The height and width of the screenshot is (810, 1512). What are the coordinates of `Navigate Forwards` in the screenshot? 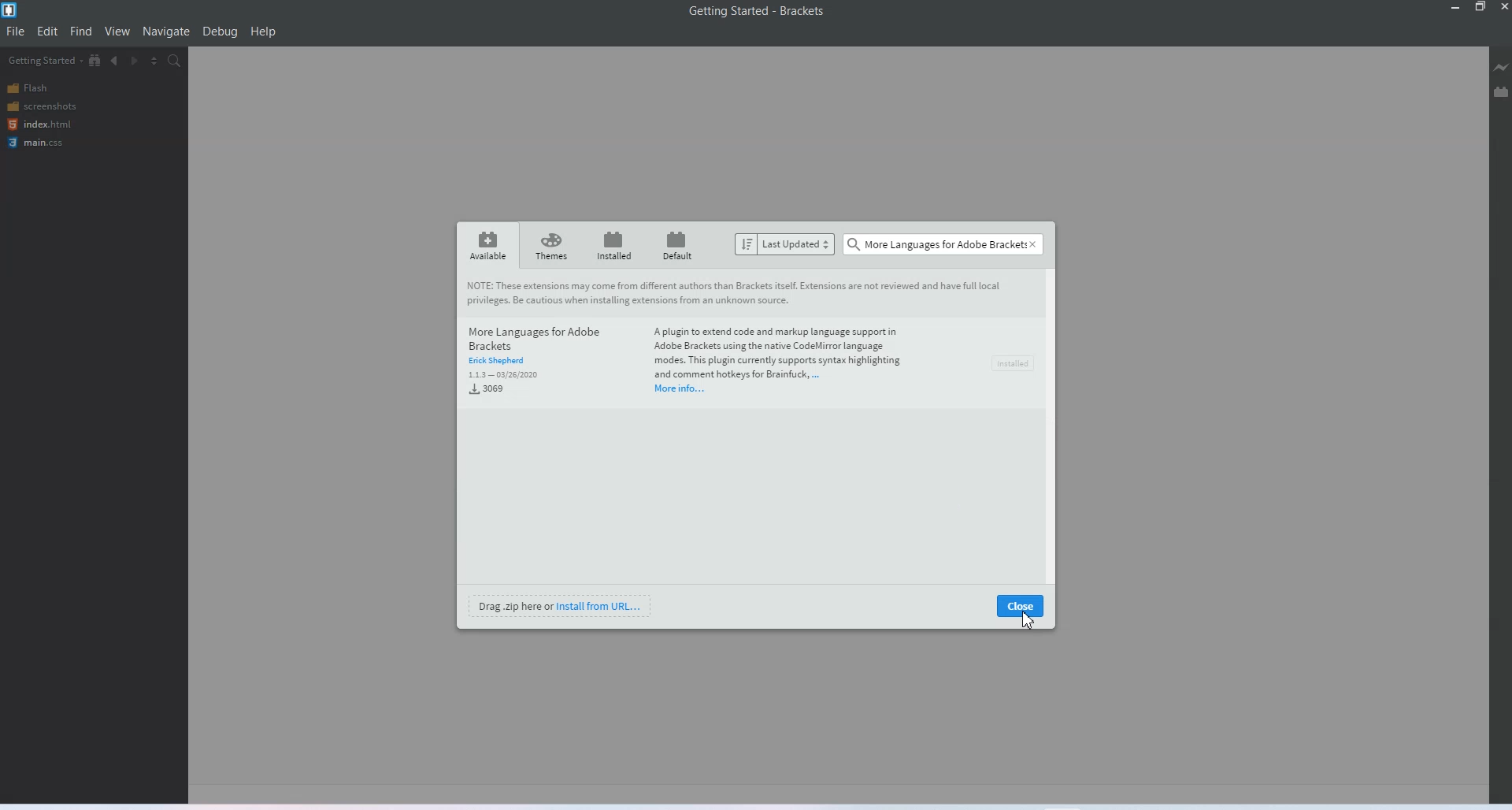 It's located at (135, 61).